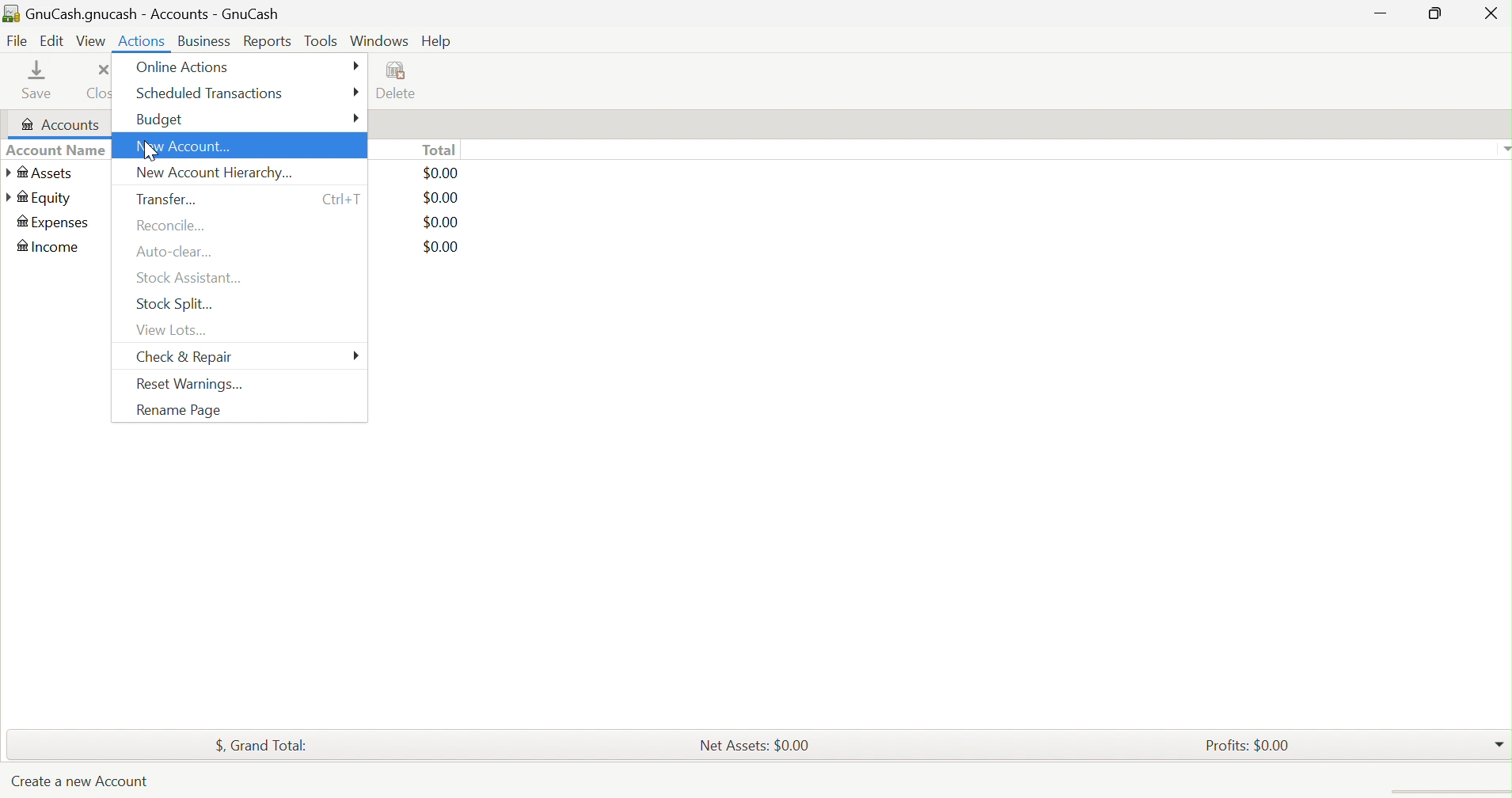 This screenshot has width=1512, height=798. I want to click on View Lots..., so click(174, 330).